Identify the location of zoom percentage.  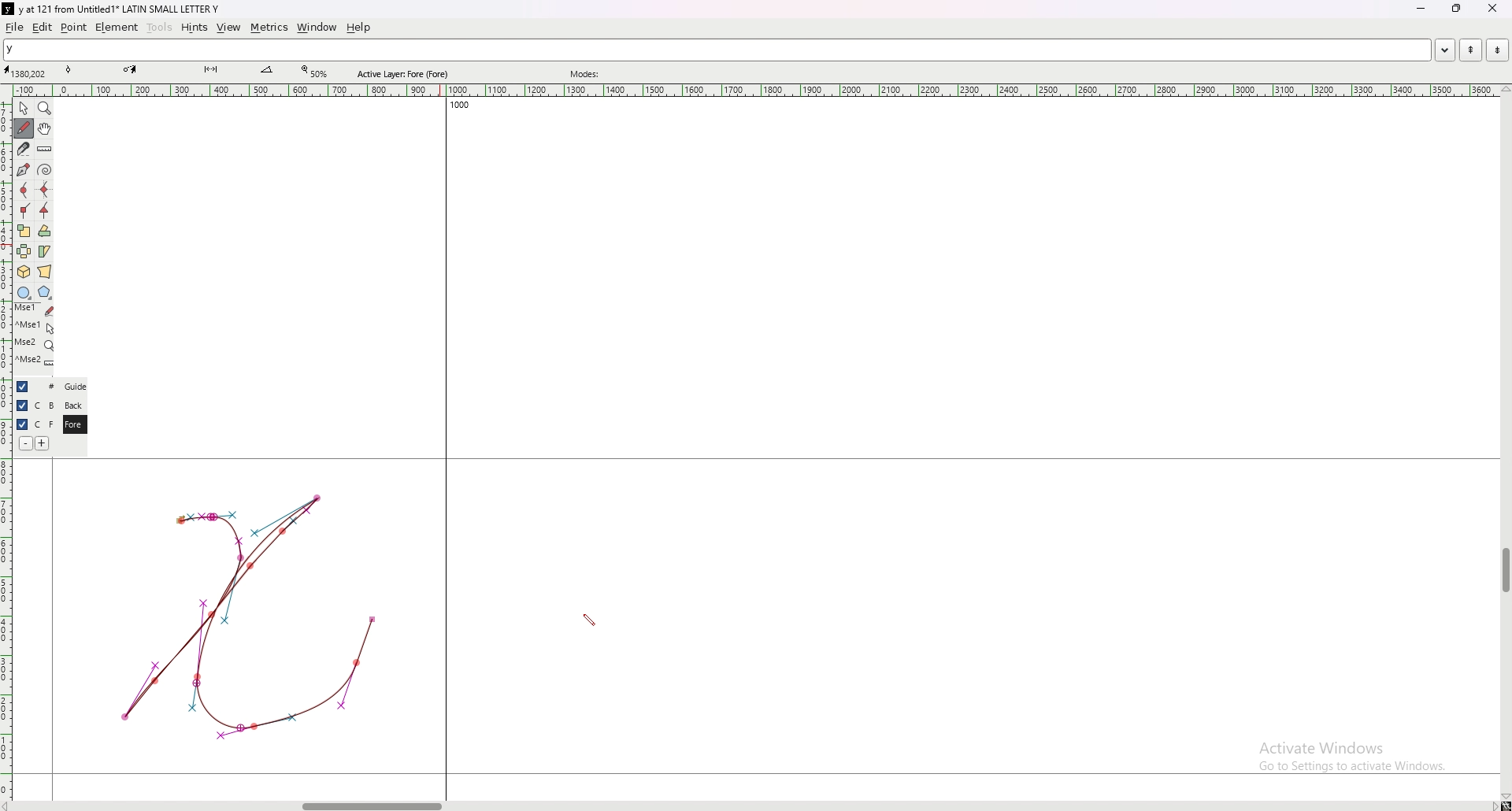
(317, 72).